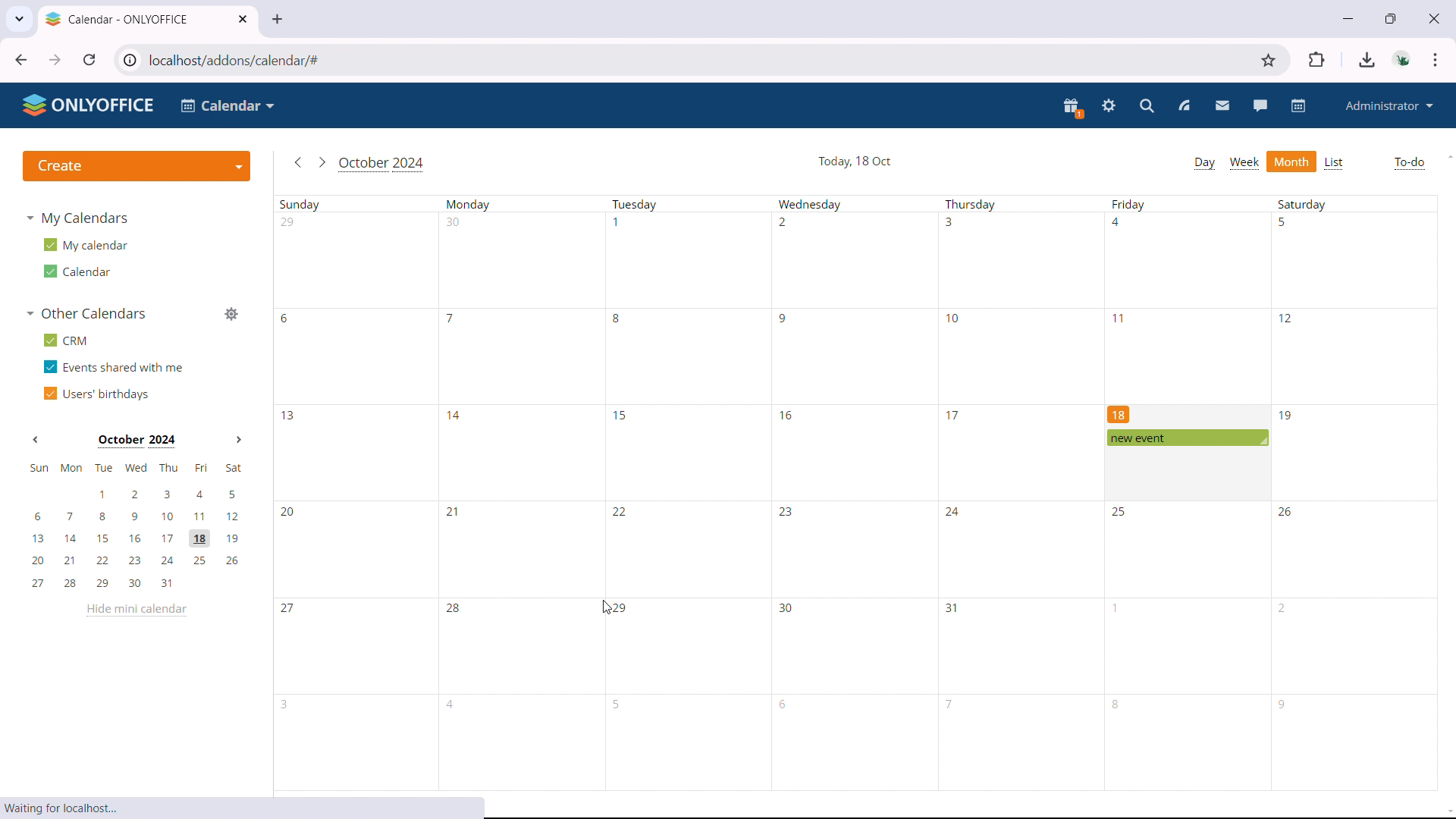 This screenshot has width=1456, height=819. I want to click on 9, so click(785, 319).